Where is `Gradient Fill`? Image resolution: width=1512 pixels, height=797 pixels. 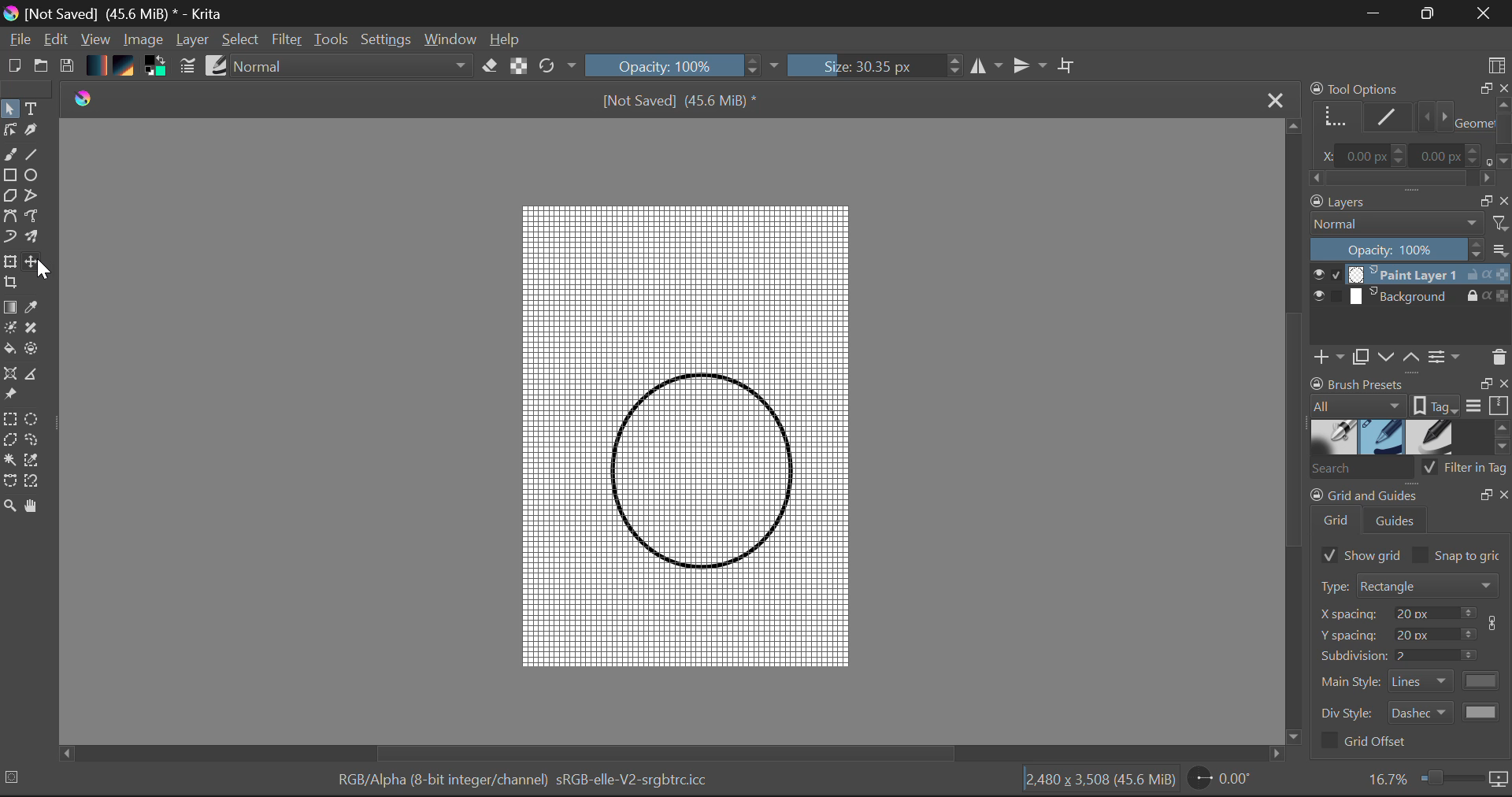
Gradient Fill is located at coordinates (10, 306).